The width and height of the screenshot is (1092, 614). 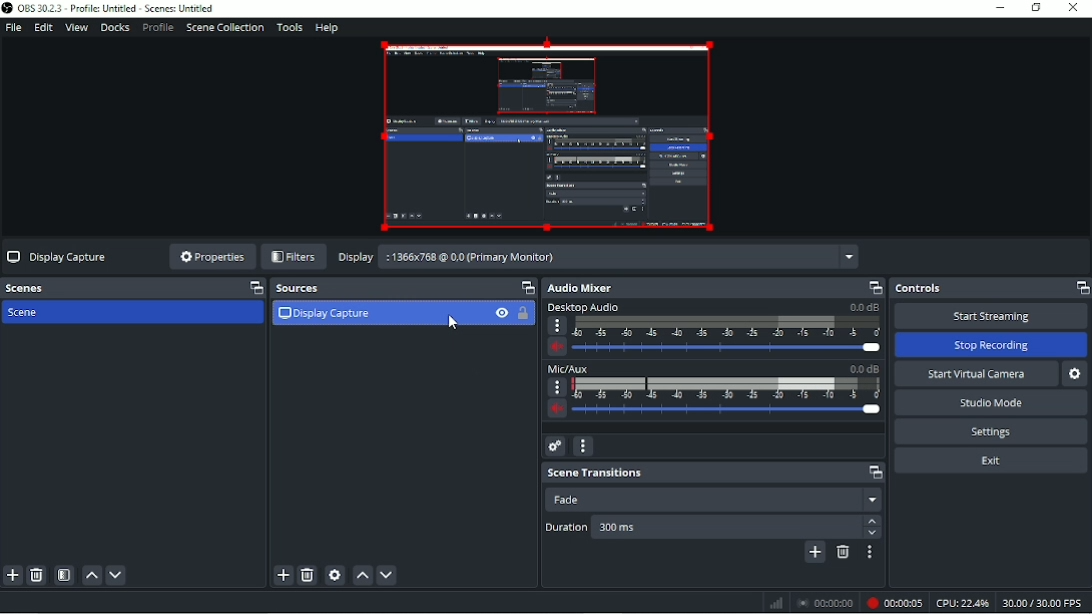 I want to click on Configure virtual camera, so click(x=1076, y=374).